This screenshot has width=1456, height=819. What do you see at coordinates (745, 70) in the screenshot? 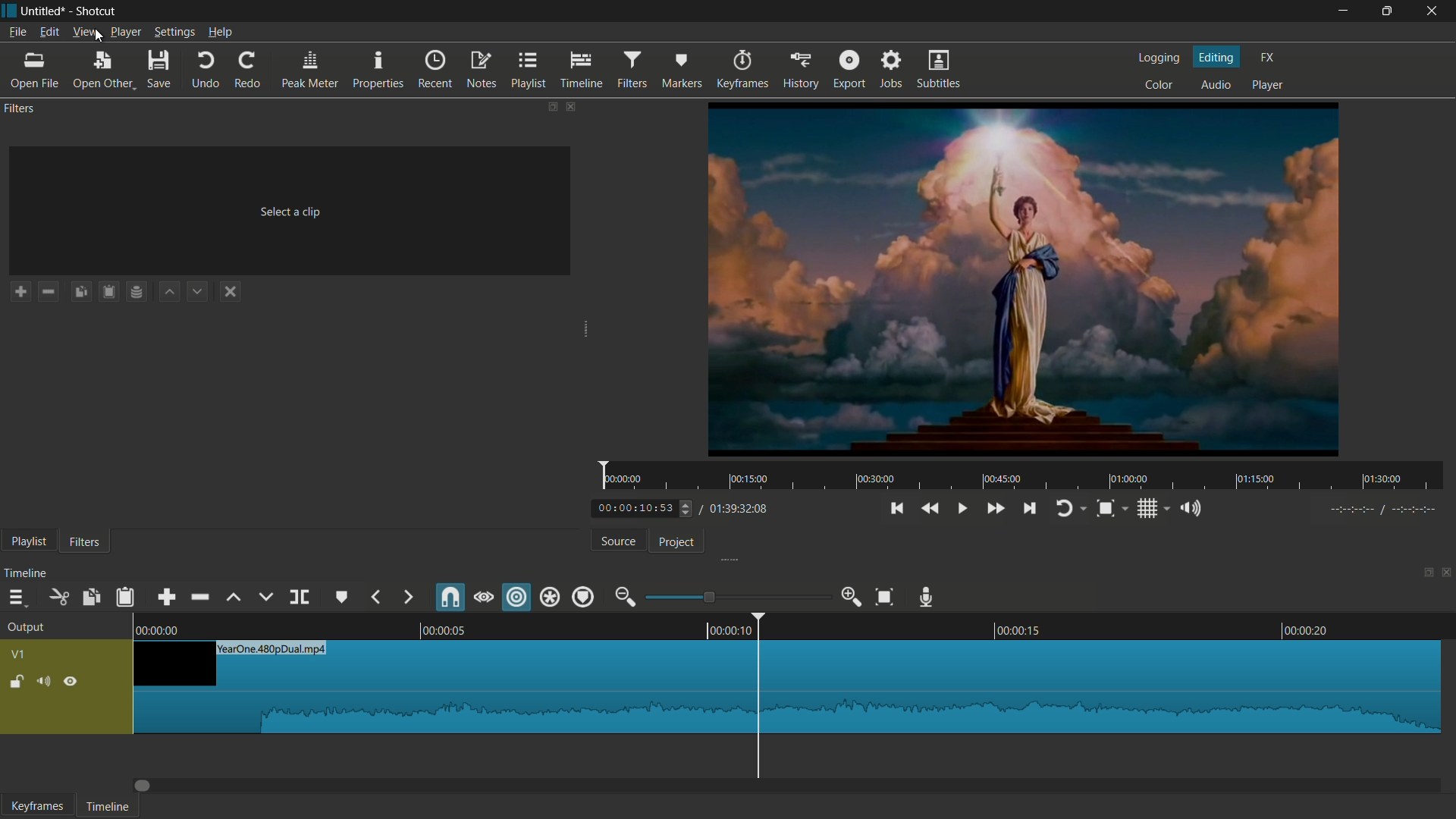
I see `keyframes` at bounding box center [745, 70].